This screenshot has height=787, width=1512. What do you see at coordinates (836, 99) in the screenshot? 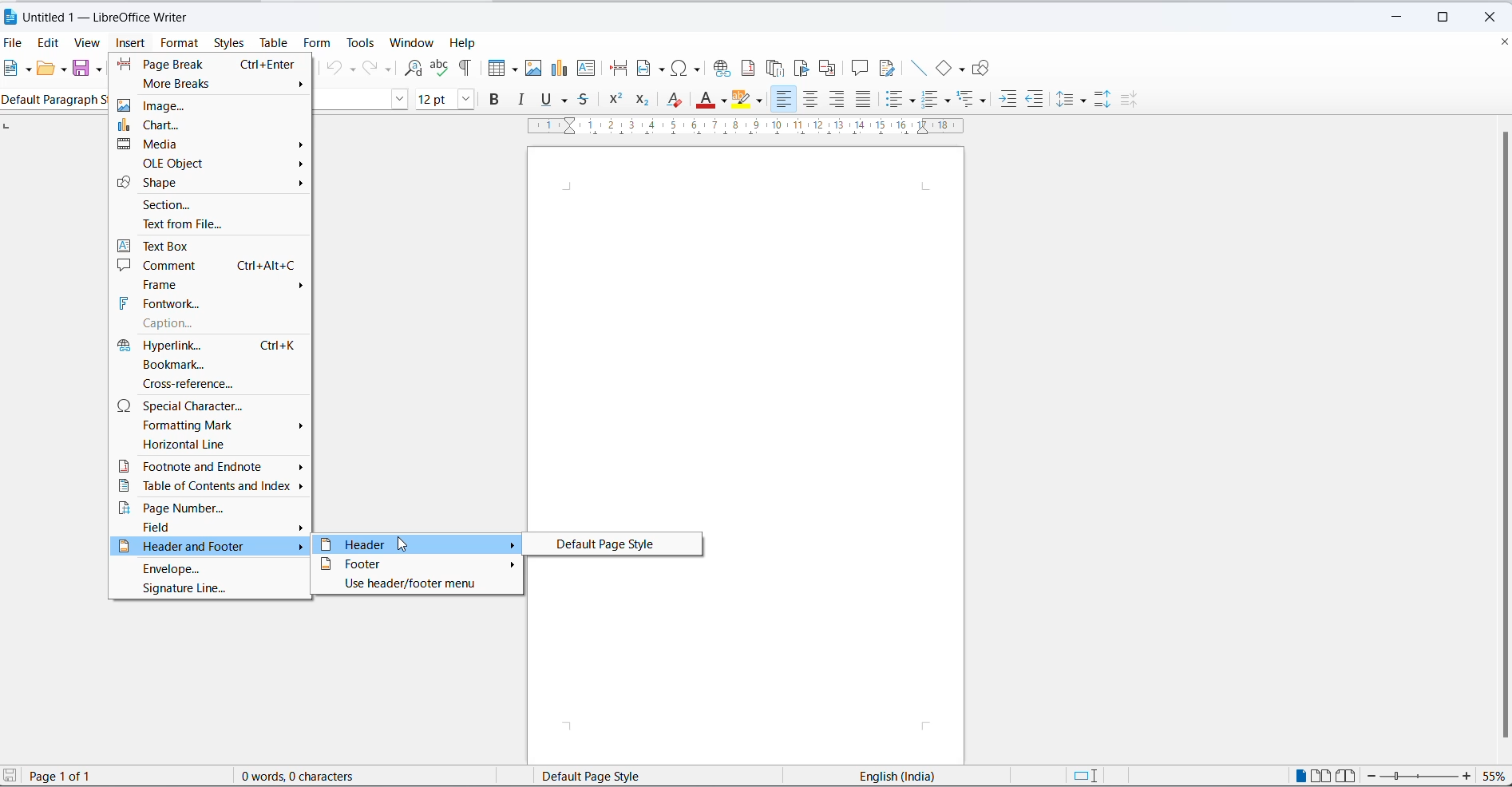
I see `text align left` at bounding box center [836, 99].